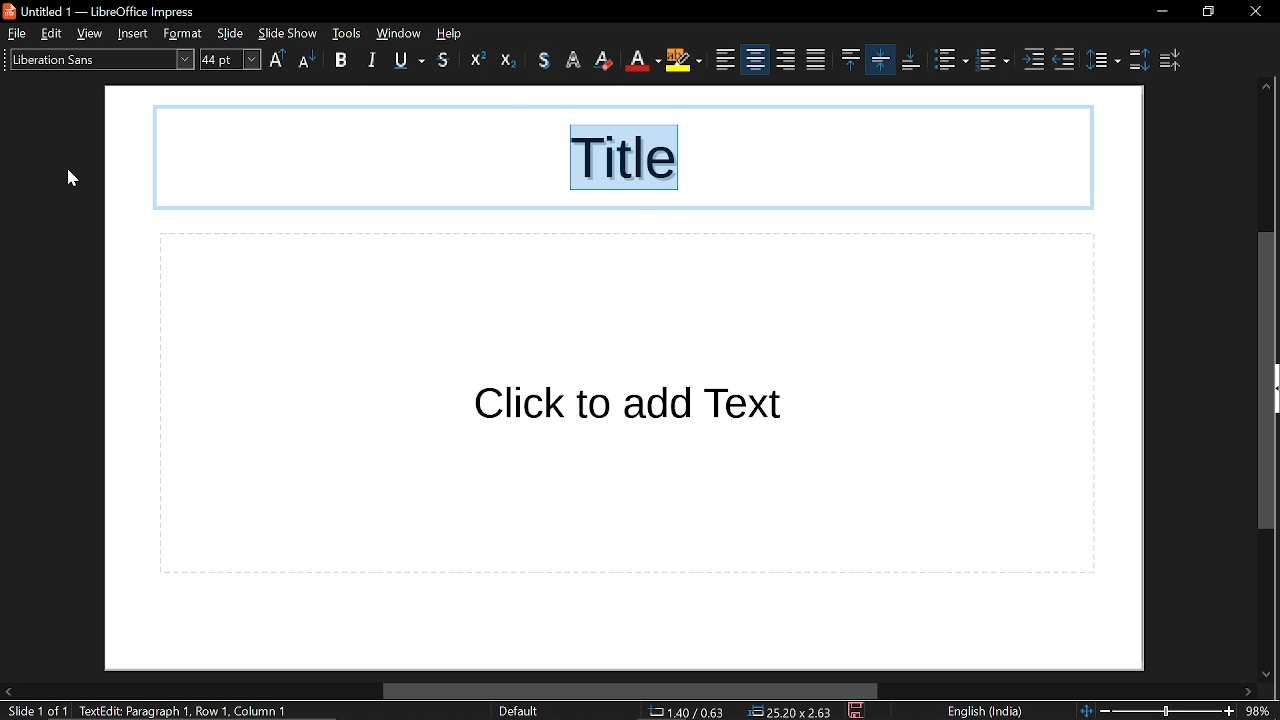 The width and height of the screenshot is (1280, 720). I want to click on set line spacing, so click(1103, 58).